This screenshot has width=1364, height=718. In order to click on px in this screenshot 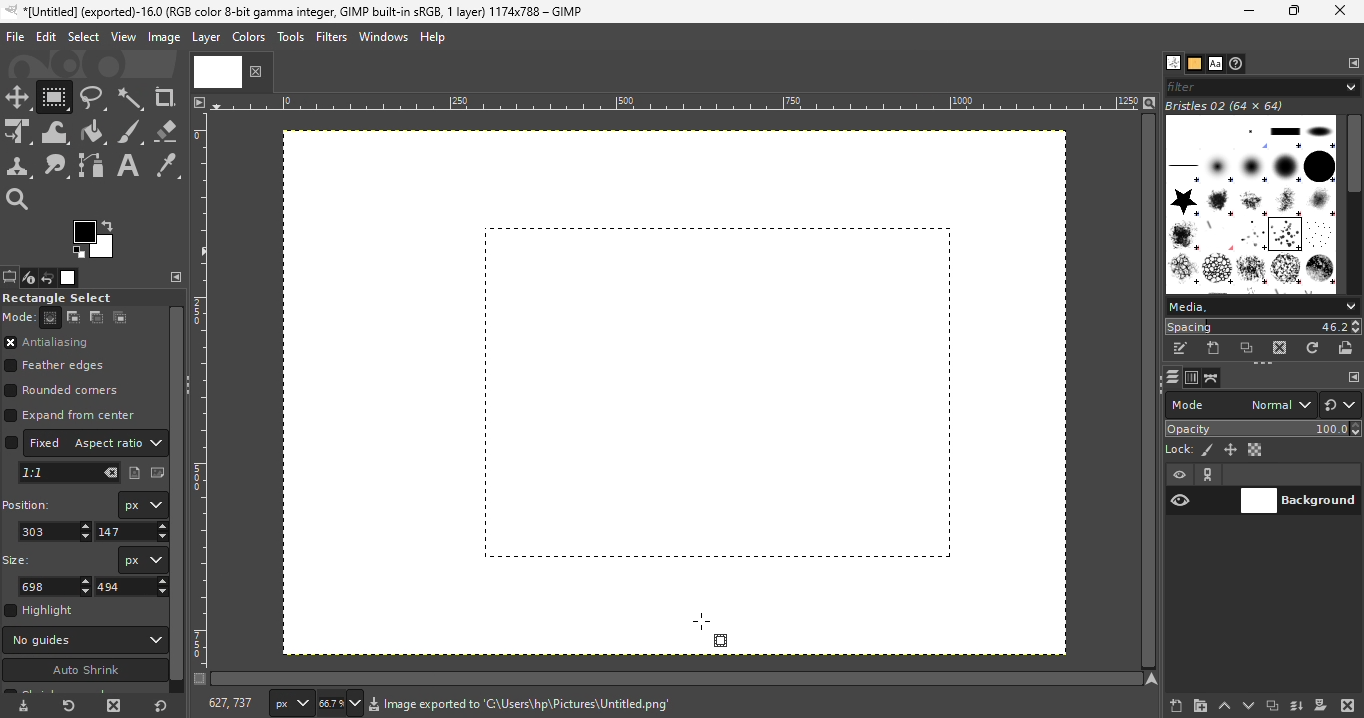, I will do `click(141, 560)`.